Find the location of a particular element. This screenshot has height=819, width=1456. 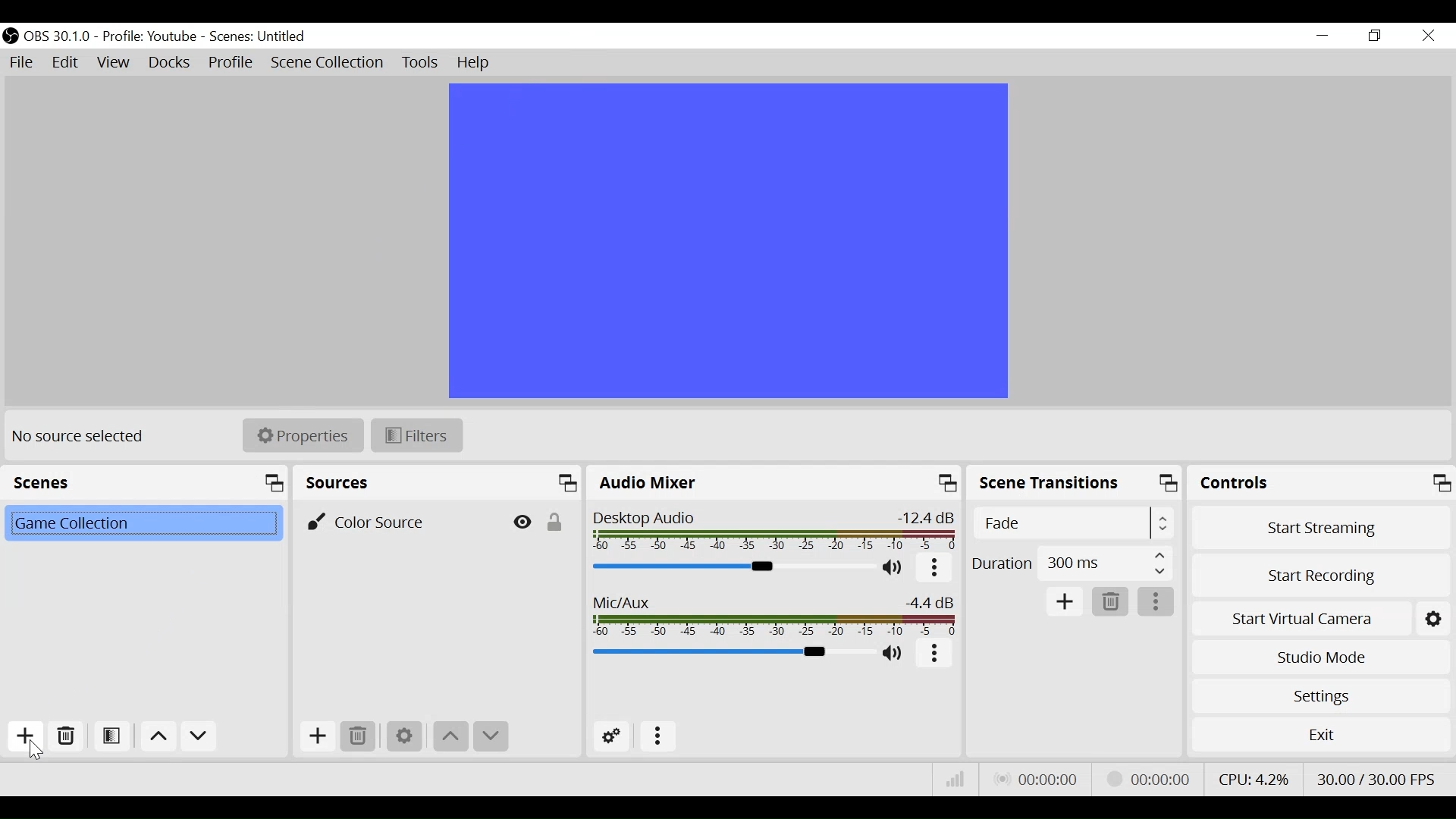

Tools is located at coordinates (420, 63).